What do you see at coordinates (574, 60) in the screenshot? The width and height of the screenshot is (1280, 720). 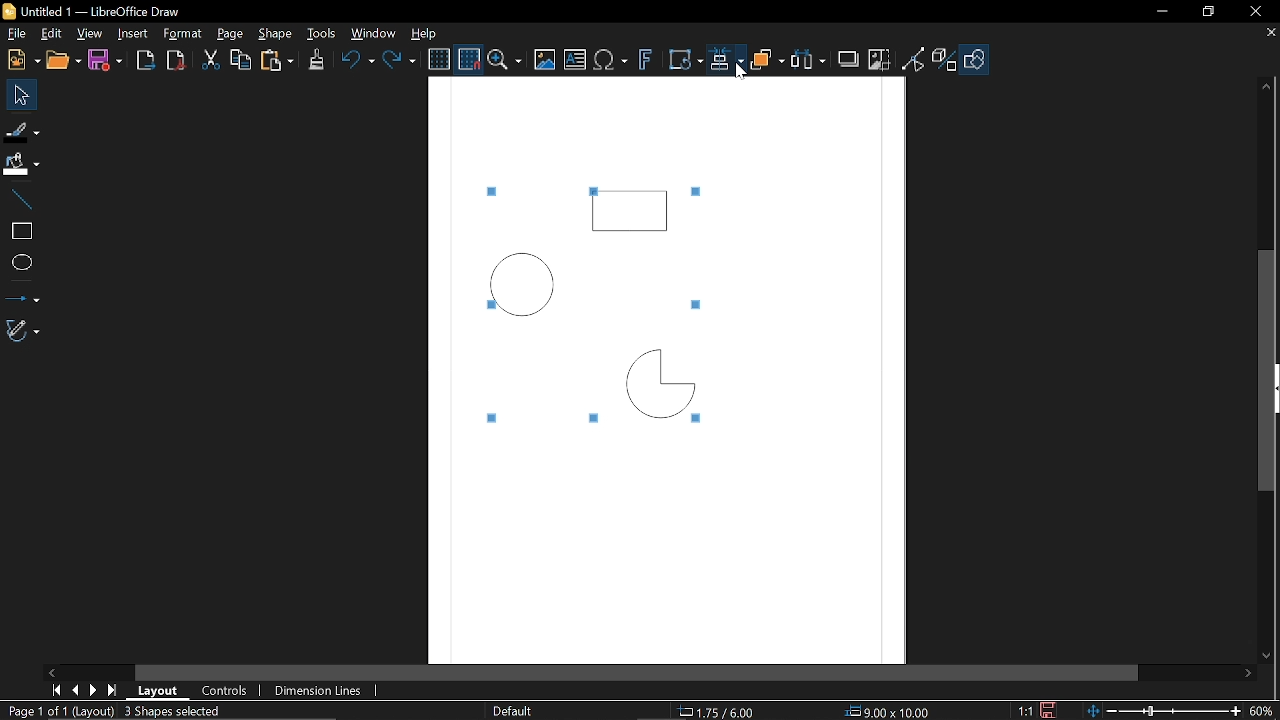 I see `Insert text` at bounding box center [574, 60].